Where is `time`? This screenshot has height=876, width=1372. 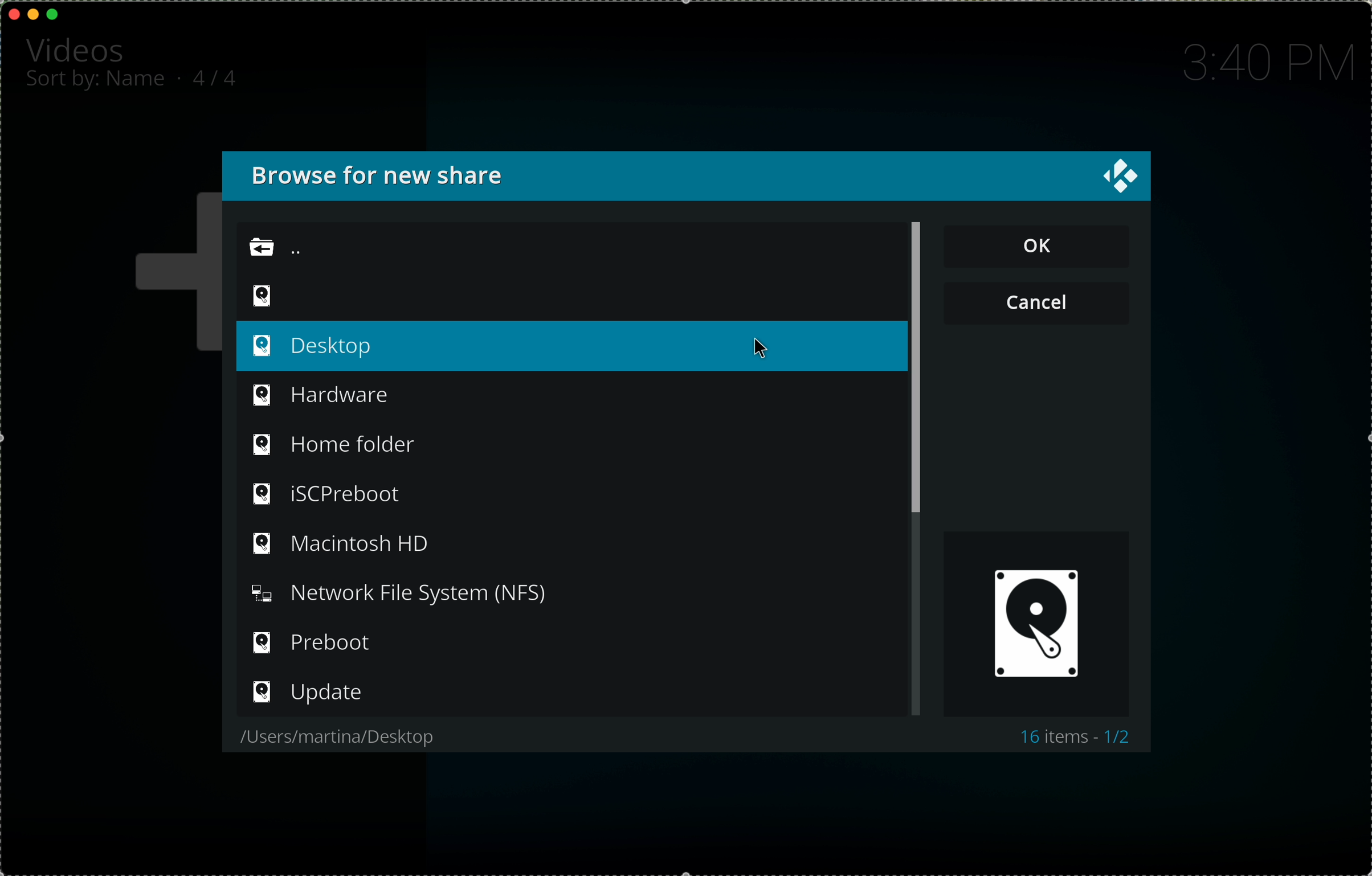 time is located at coordinates (1265, 63).